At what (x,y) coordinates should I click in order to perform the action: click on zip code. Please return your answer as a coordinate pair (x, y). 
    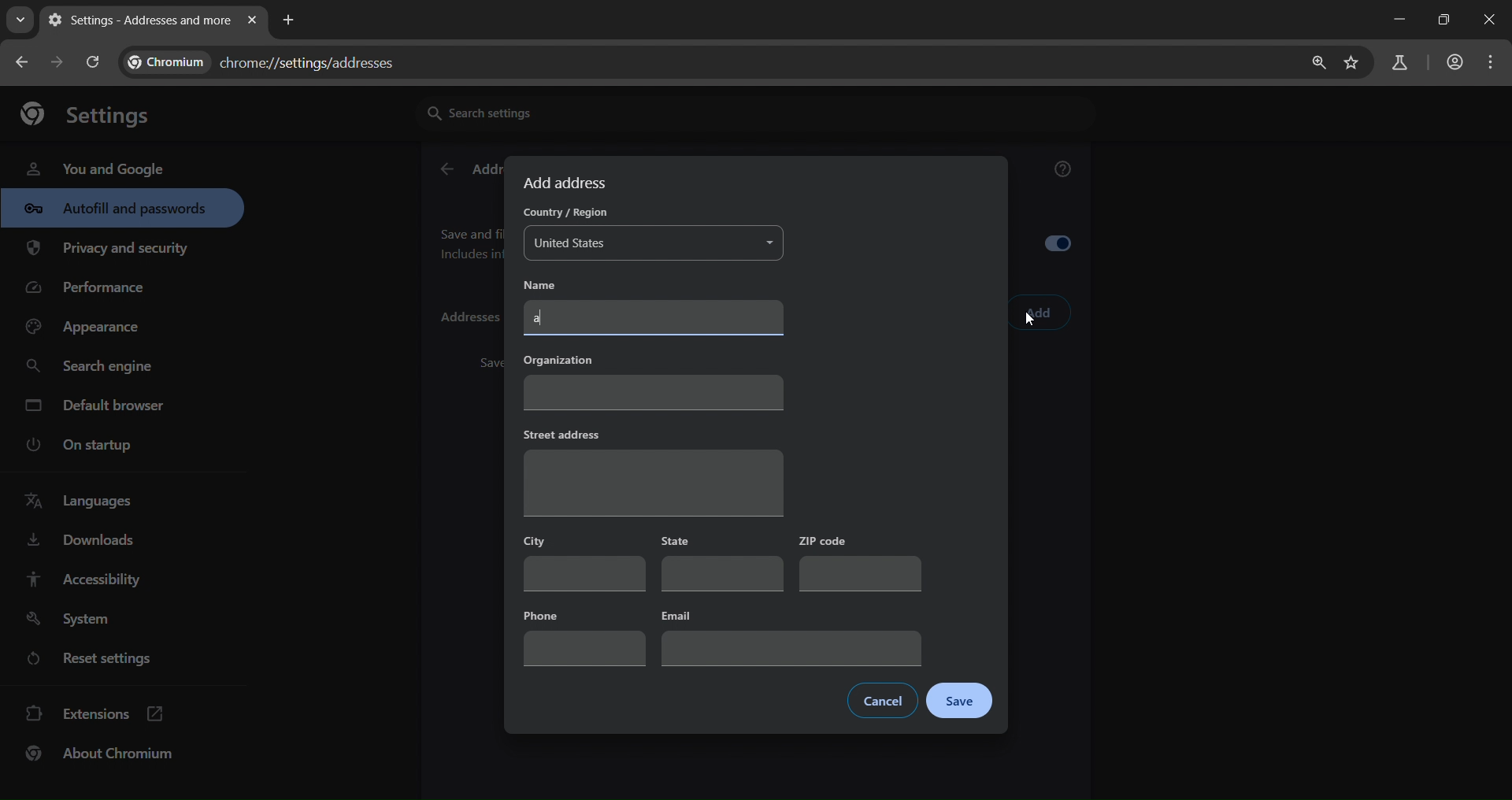
    Looking at the image, I should click on (859, 563).